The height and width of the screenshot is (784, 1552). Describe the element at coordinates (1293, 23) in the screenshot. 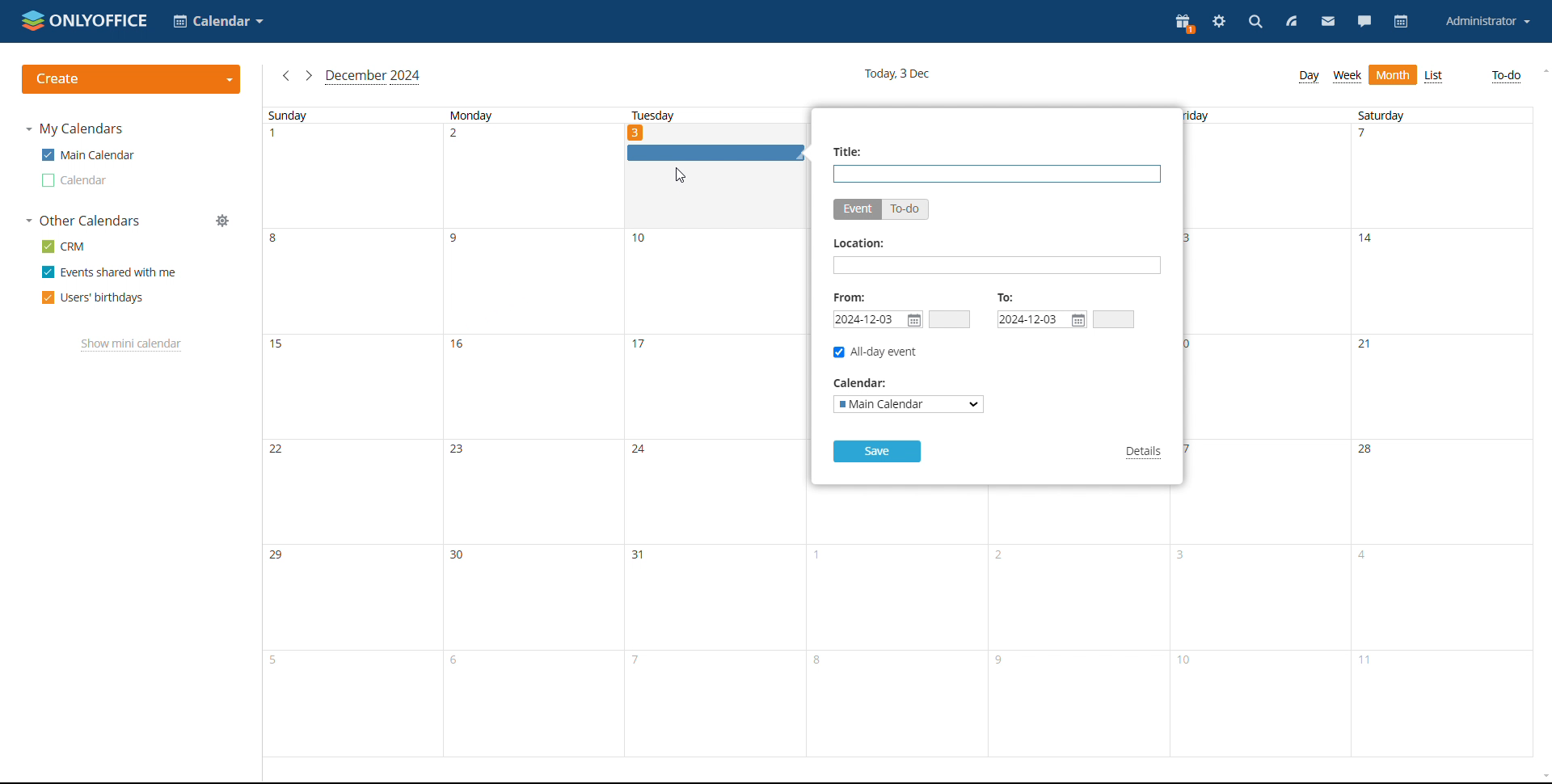

I see `feed` at that location.